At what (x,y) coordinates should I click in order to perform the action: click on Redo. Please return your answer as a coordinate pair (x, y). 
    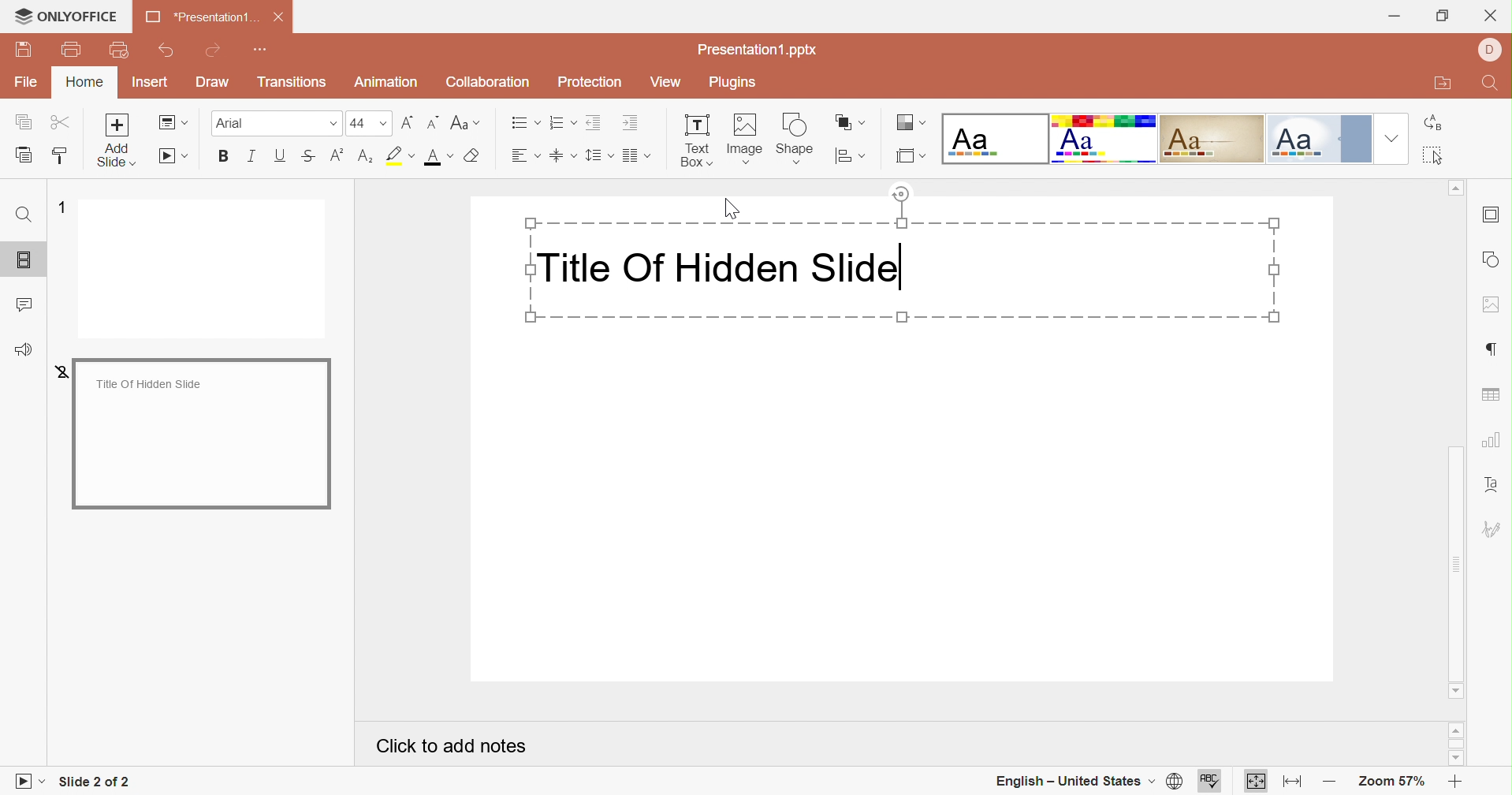
    Looking at the image, I should click on (215, 50).